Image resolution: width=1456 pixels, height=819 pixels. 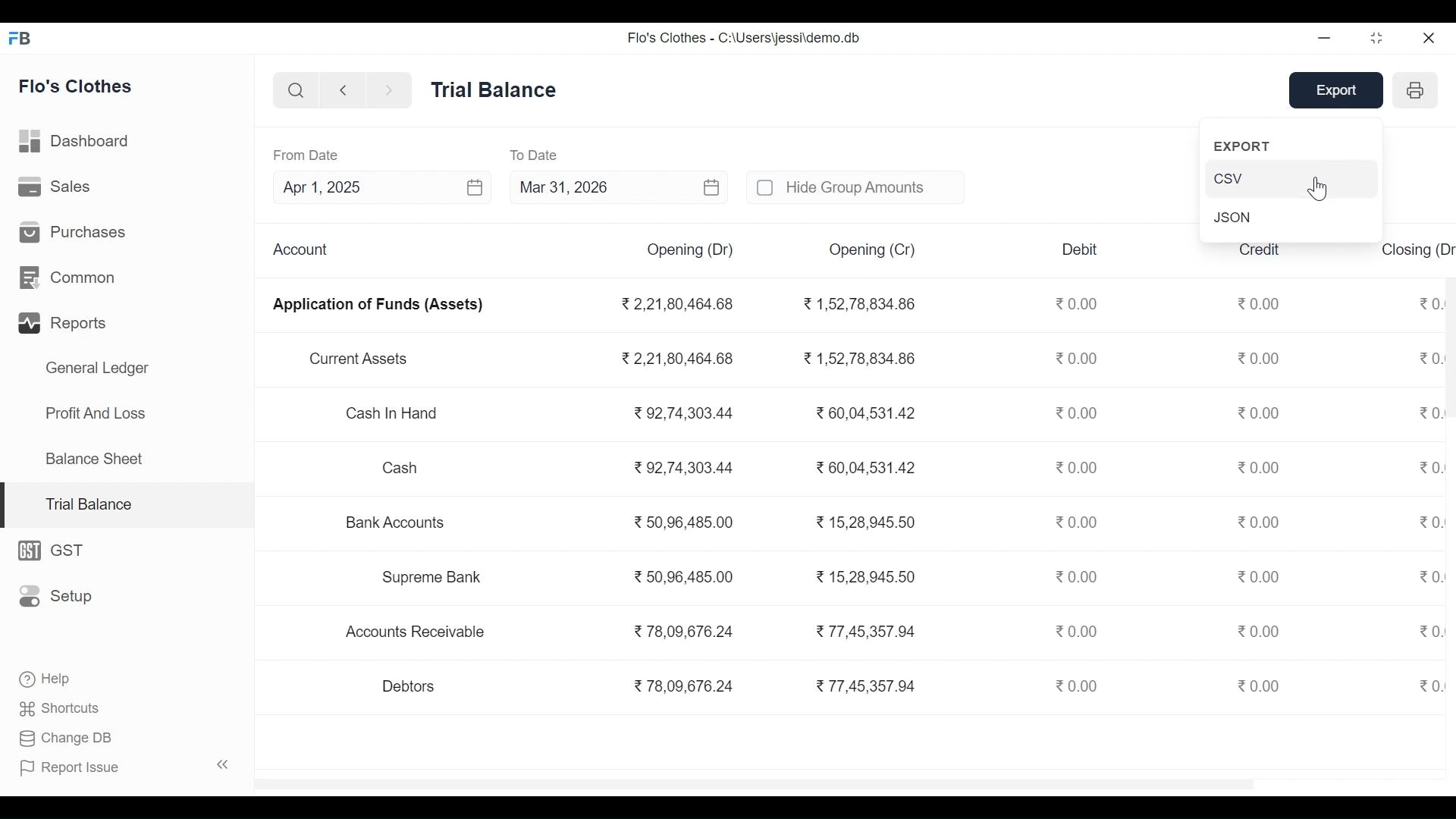 I want to click on 0.00, so click(x=1259, y=631).